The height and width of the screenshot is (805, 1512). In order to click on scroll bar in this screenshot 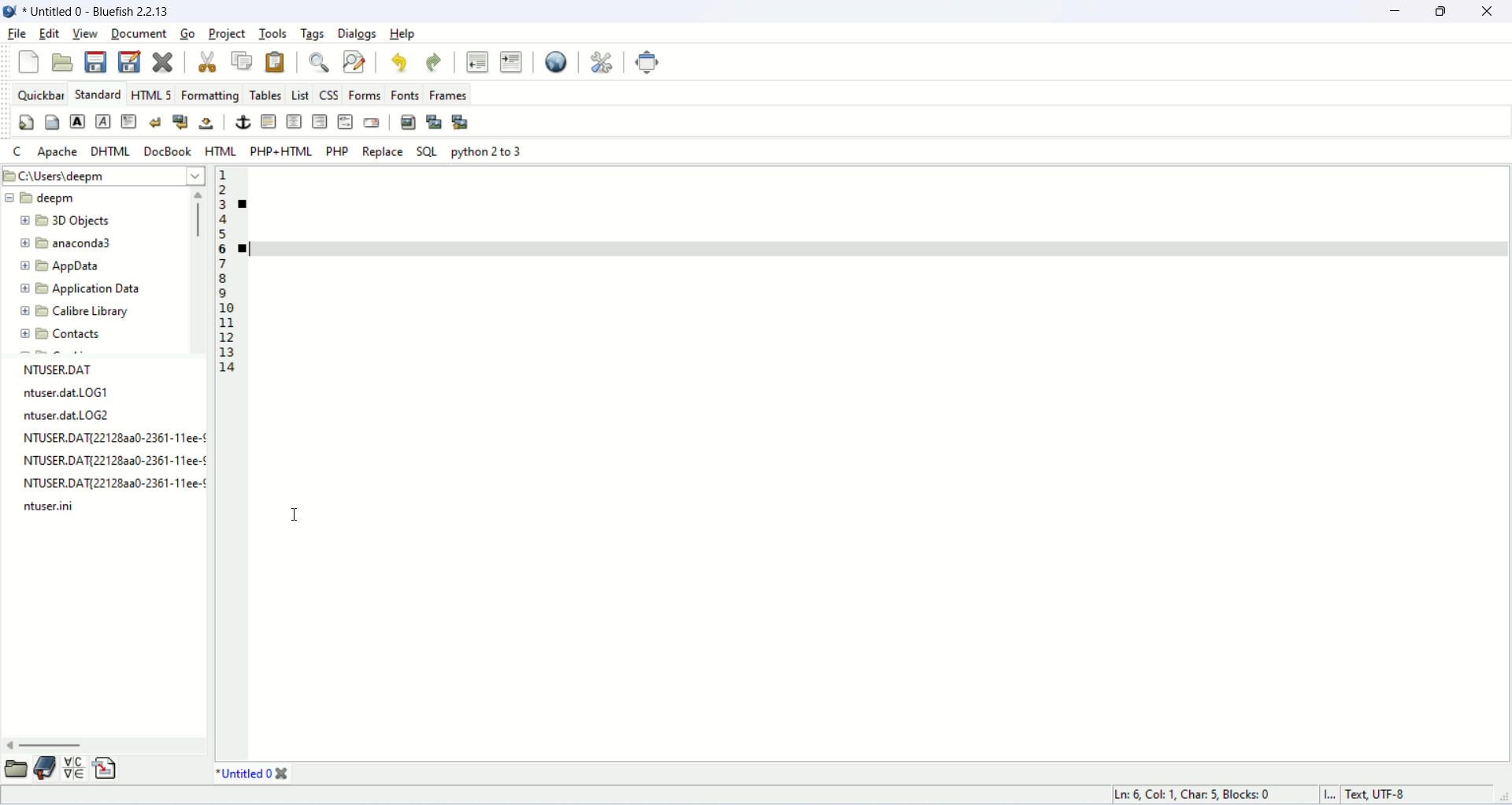, I will do `click(102, 748)`.